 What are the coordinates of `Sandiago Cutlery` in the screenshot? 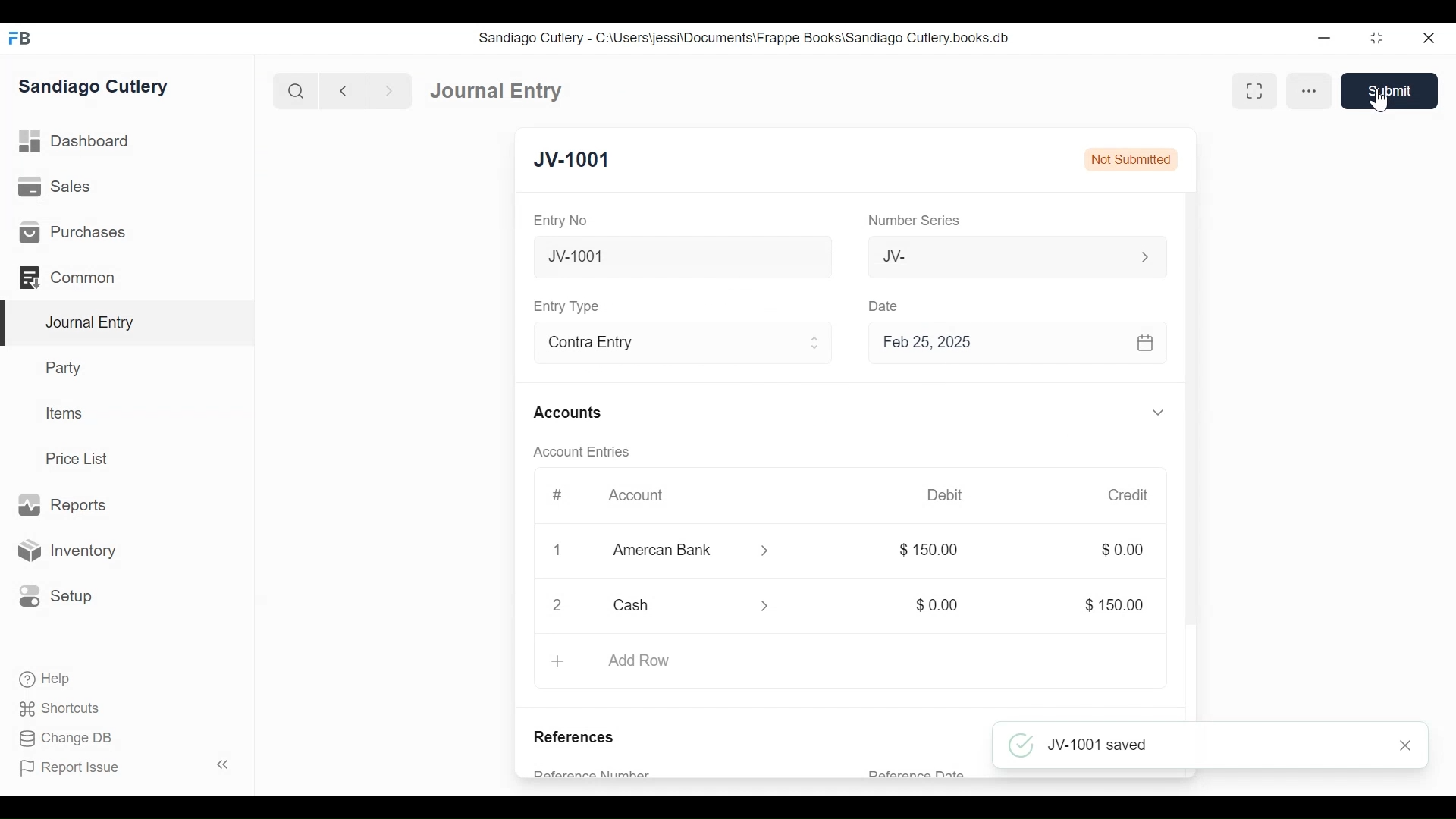 It's located at (96, 87).